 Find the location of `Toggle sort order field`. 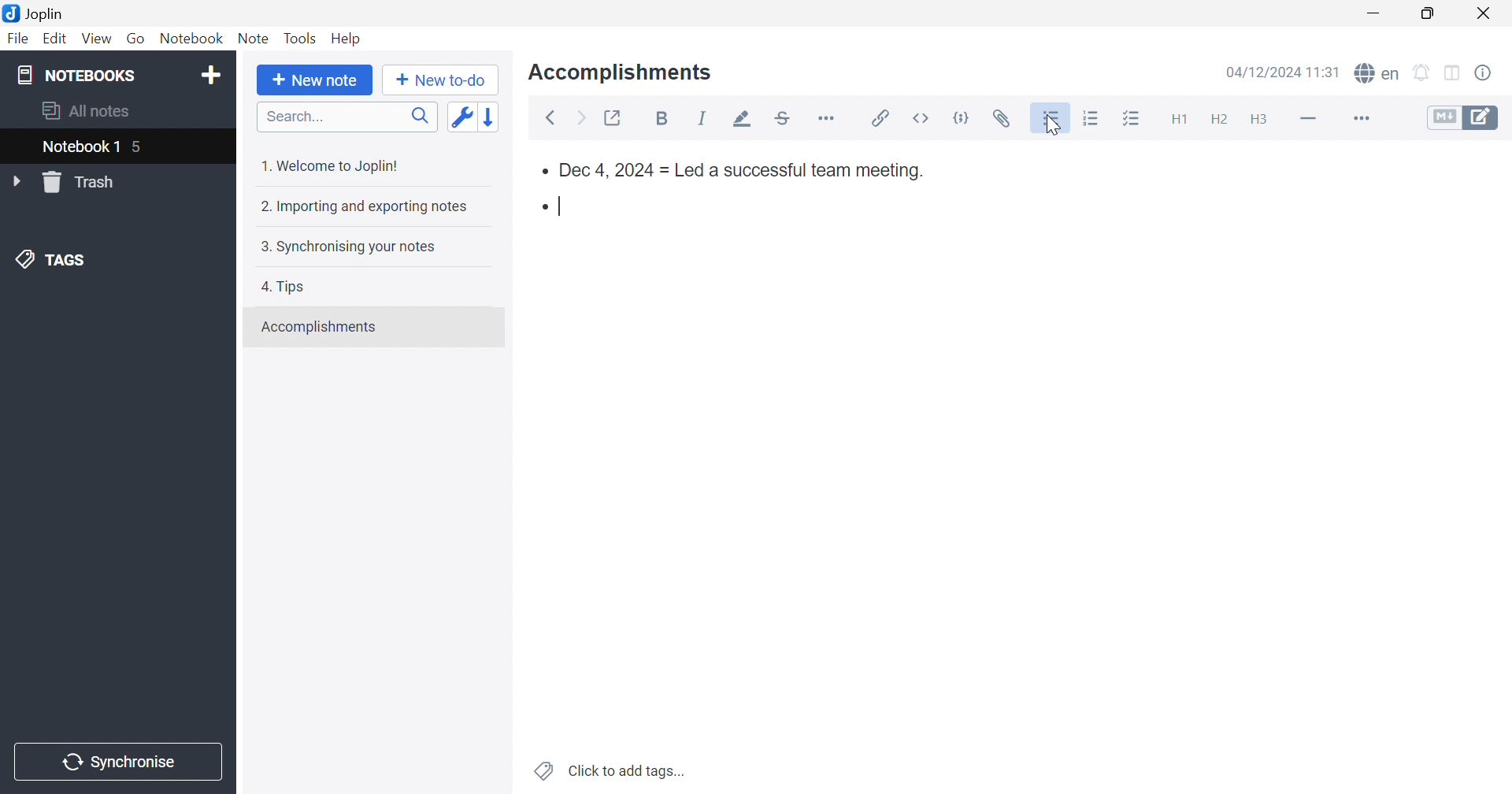

Toggle sort order field is located at coordinates (459, 117).